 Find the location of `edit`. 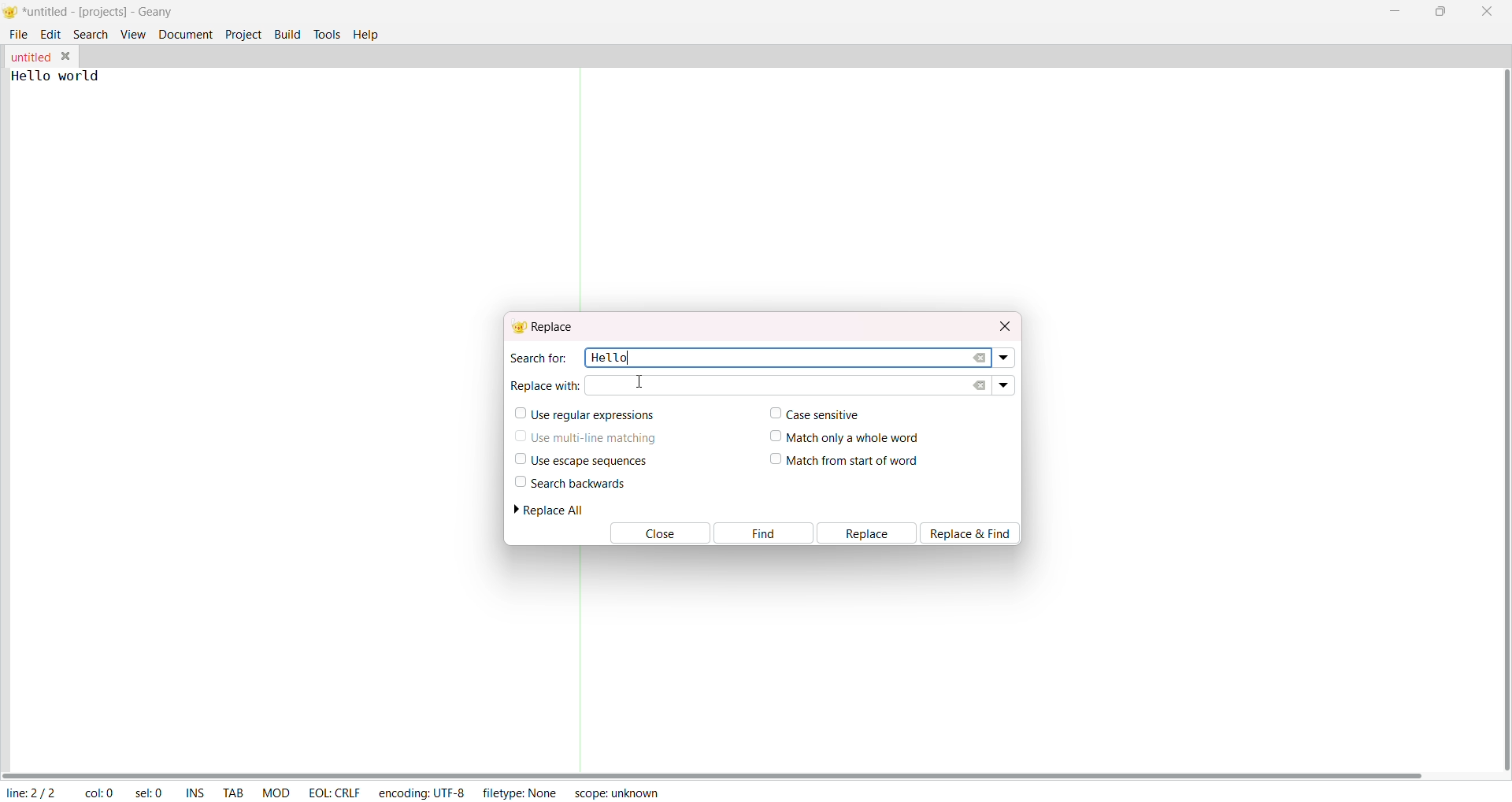

edit is located at coordinates (51, 33).